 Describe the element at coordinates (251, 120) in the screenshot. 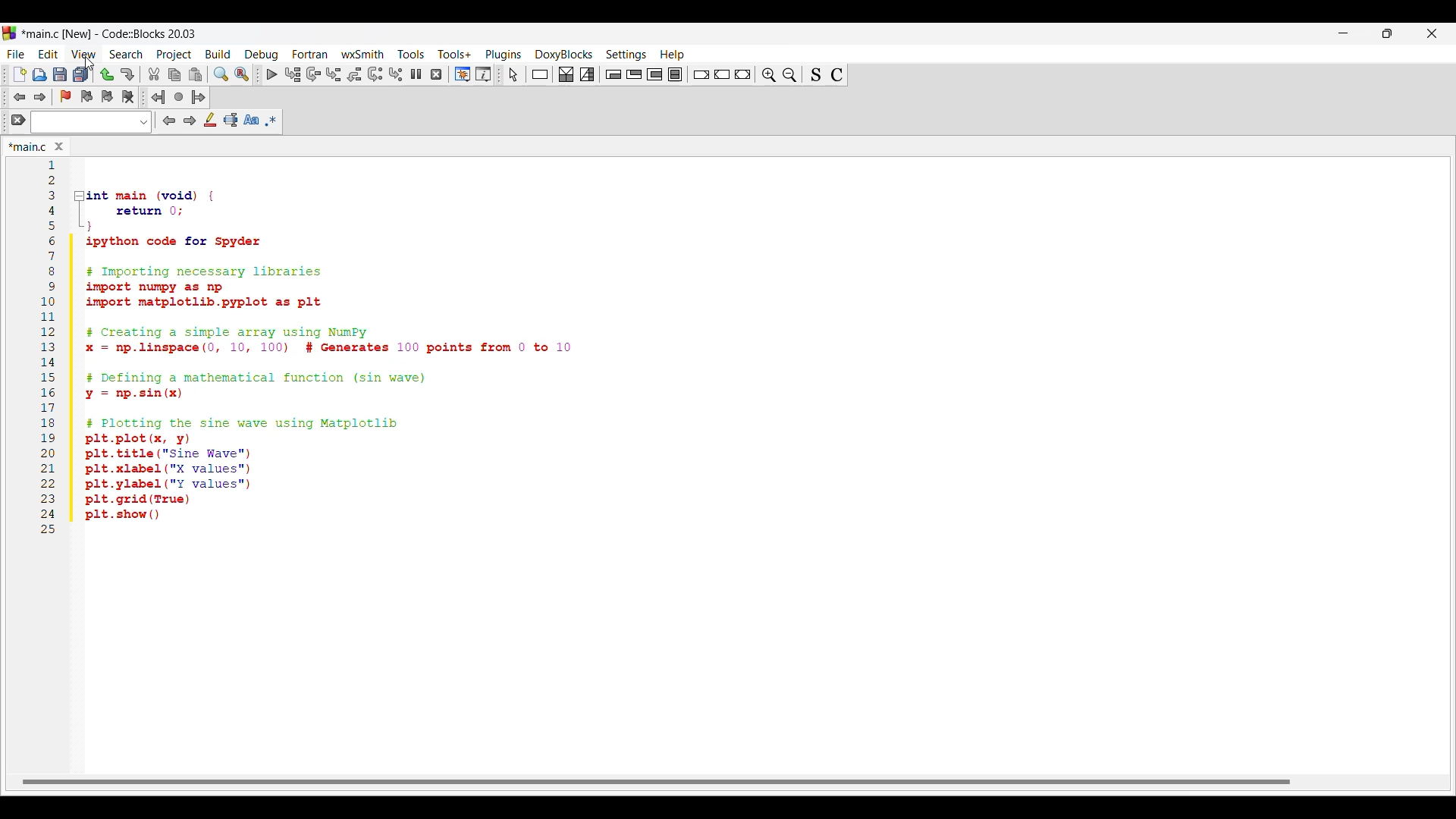

I see `Match case` at that location.